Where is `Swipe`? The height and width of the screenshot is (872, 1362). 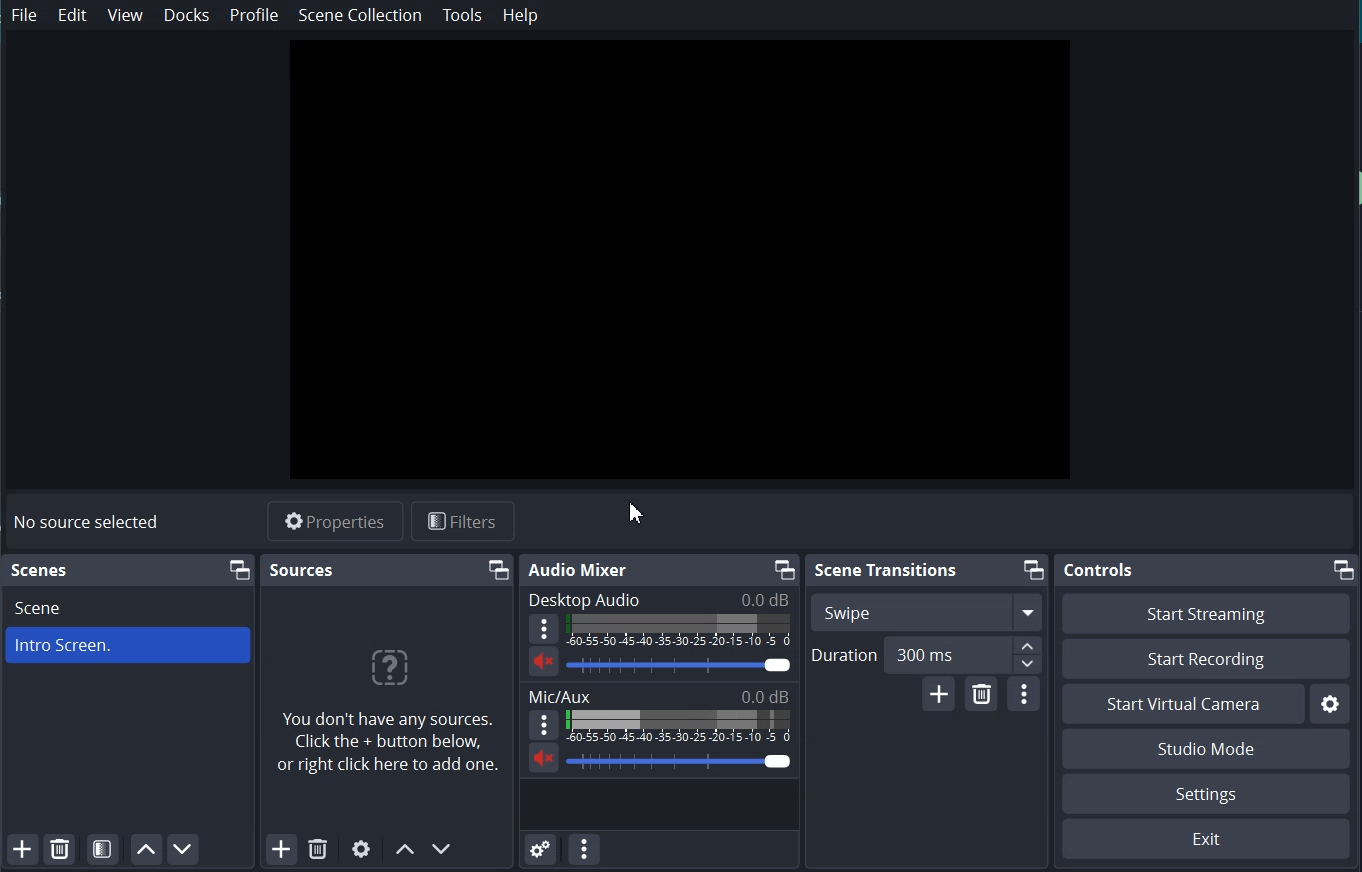
Swipe is located at coordinates (926, 611).